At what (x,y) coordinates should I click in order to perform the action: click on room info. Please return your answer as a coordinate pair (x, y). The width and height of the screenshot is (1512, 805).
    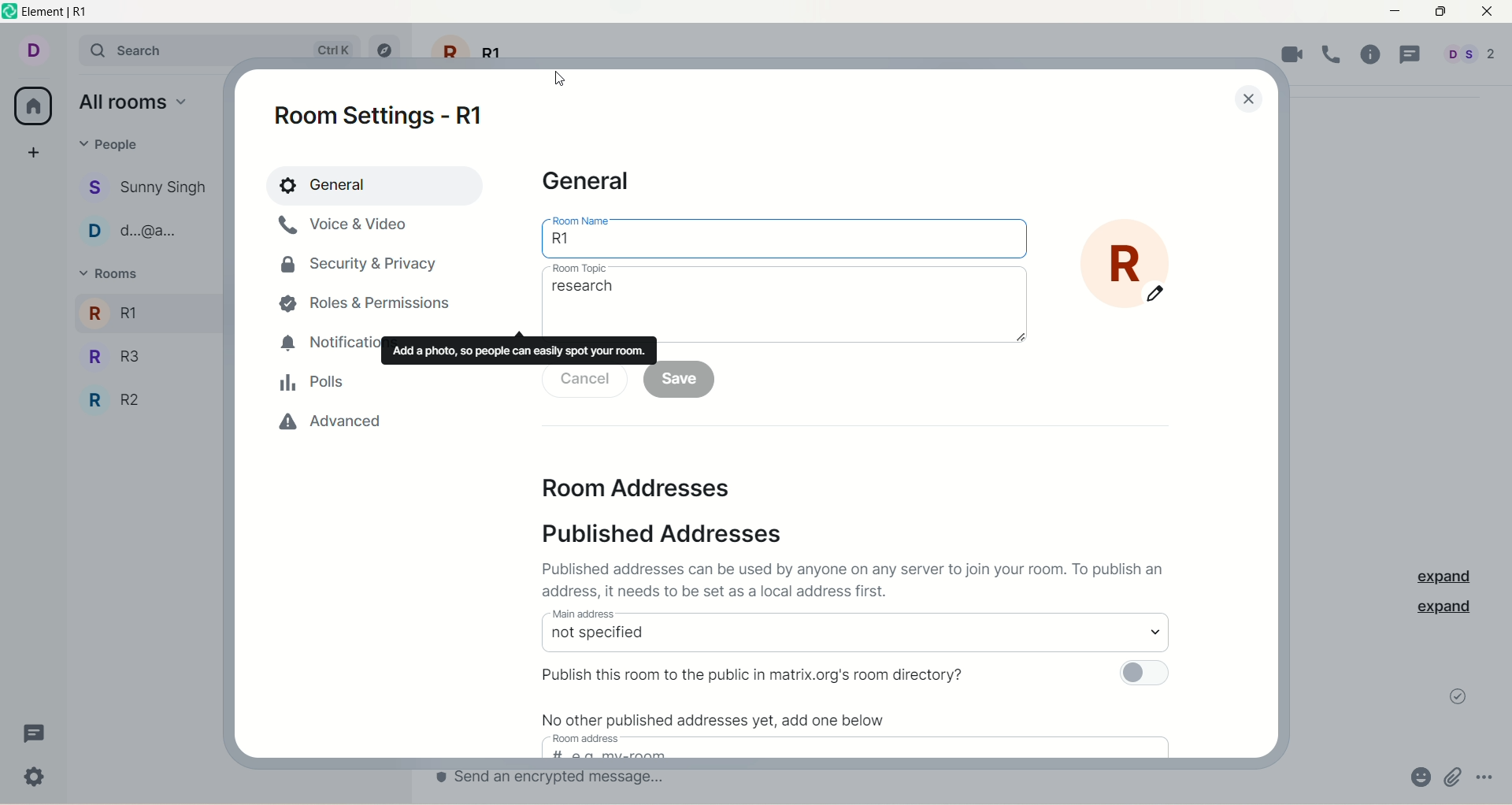
    Looking at the image, I should click on (1373, 54).